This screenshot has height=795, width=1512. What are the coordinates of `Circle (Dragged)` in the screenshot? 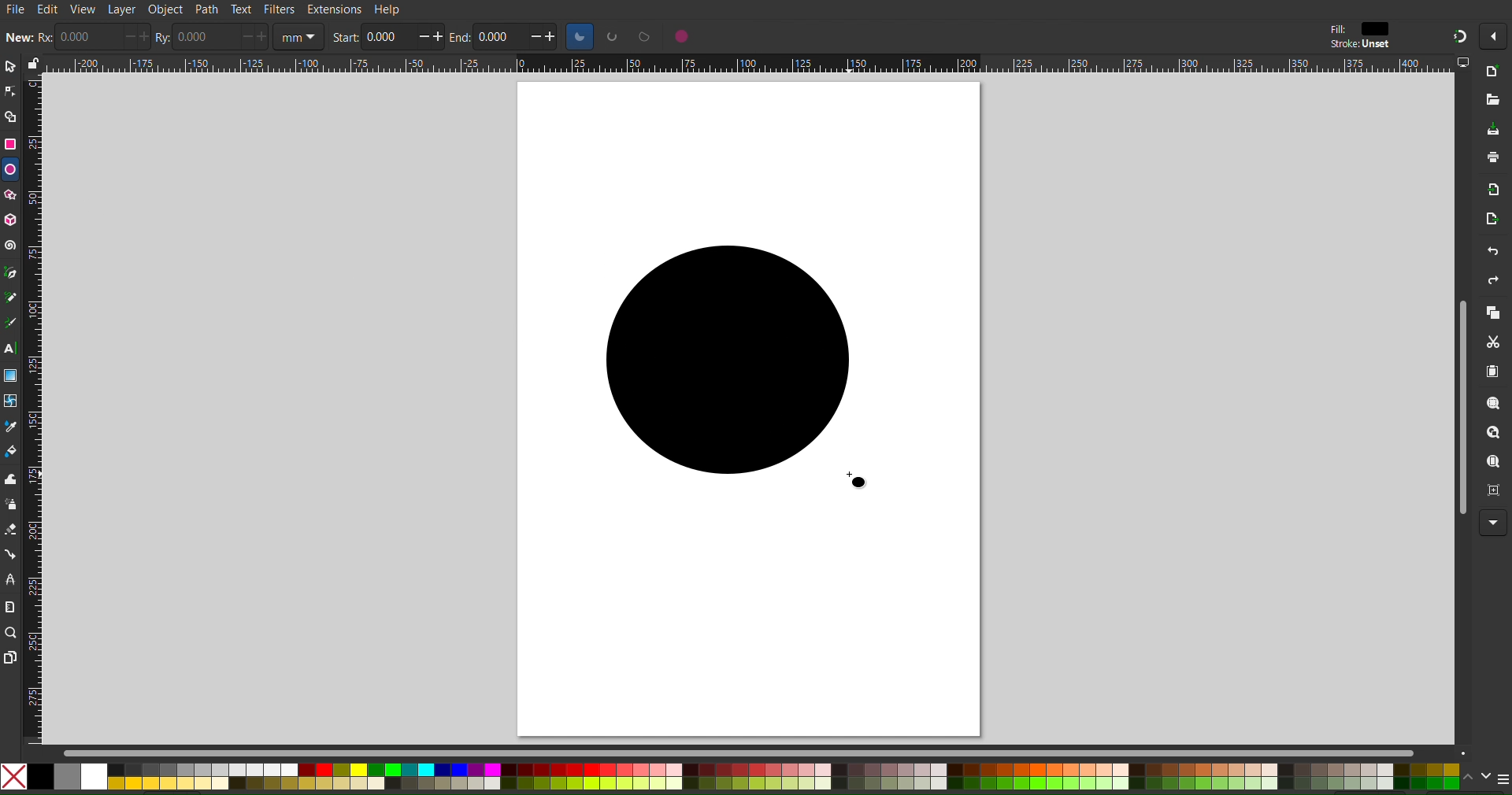 It's located at (738, 356).